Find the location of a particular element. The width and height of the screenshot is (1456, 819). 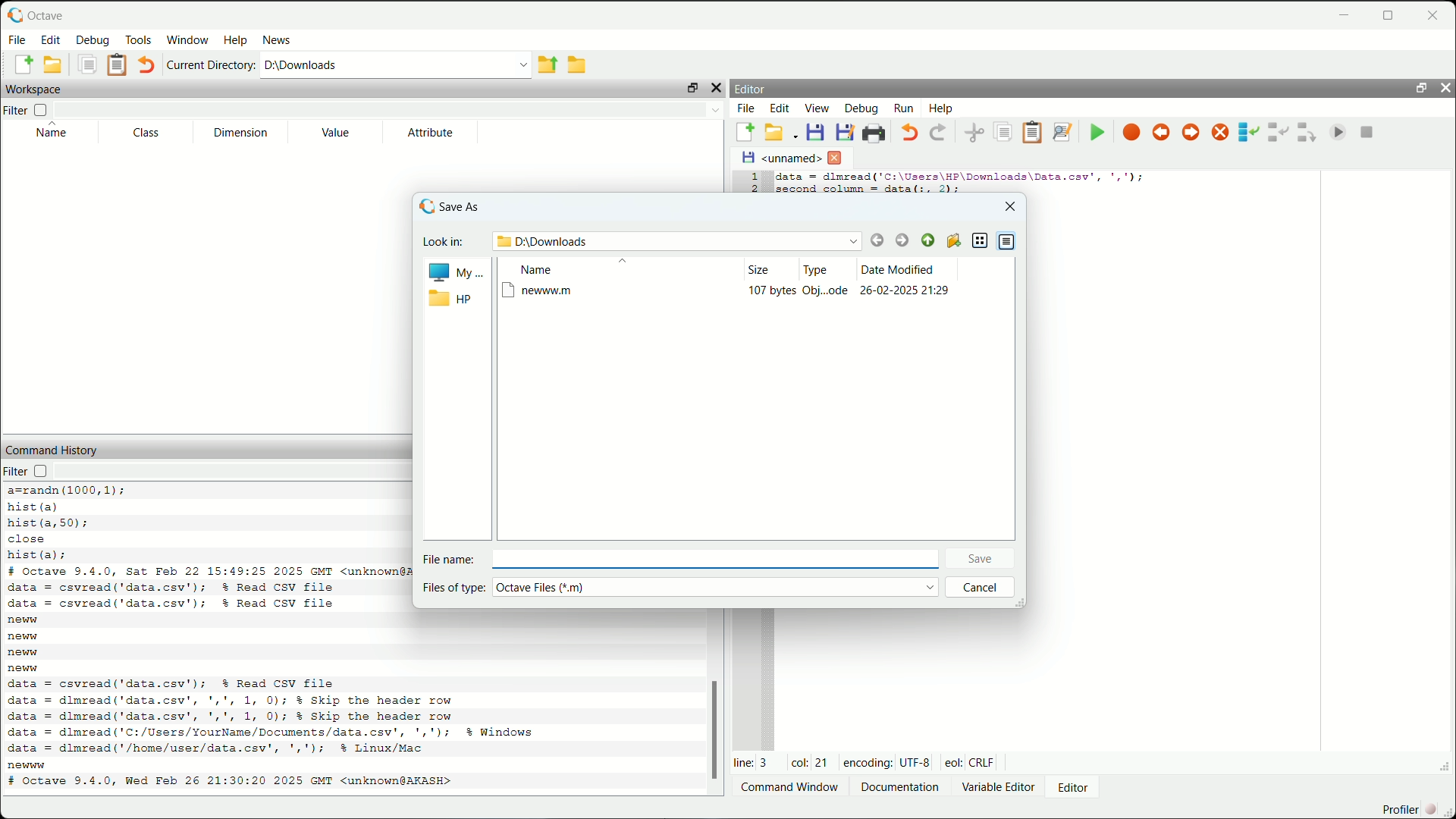

octave version and date is located at coordinates (205, 570).